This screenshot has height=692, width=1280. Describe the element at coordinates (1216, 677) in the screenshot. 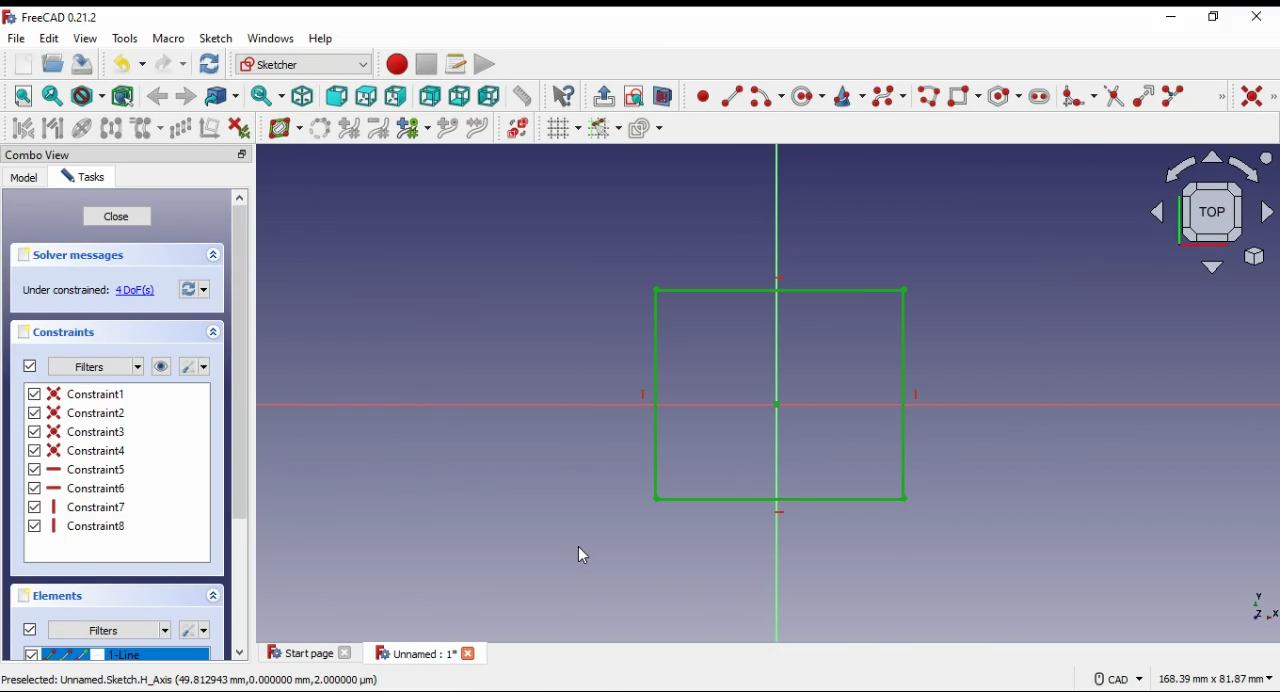

I see `canvas size` at that location.